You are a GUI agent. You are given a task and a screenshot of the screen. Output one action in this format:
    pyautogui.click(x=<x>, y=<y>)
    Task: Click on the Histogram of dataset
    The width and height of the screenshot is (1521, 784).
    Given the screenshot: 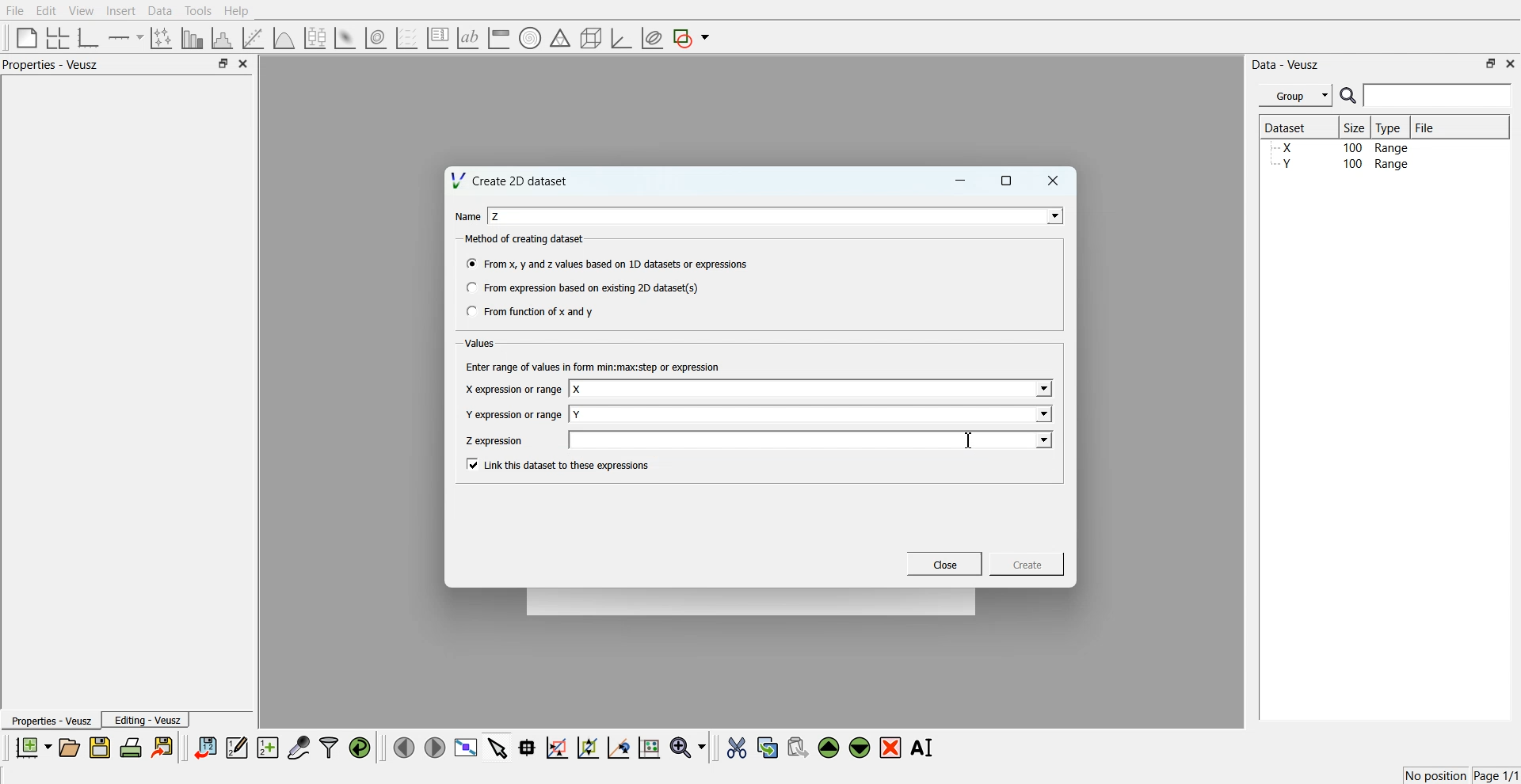 What is the action you would take?
    pyautogui.click(x=220, y=39)
    